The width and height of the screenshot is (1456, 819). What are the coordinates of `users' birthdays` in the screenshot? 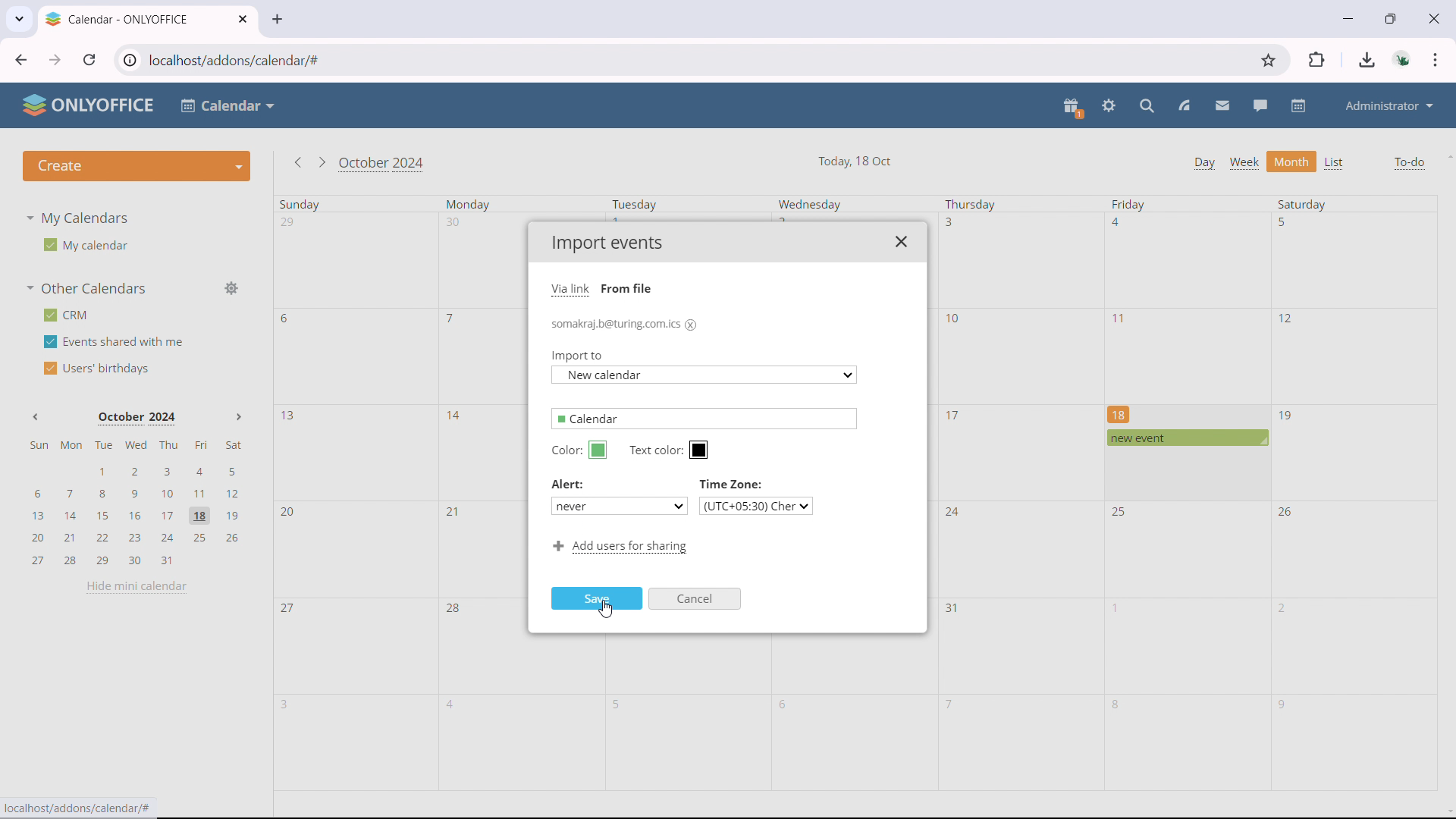 It's located at (98, 369).